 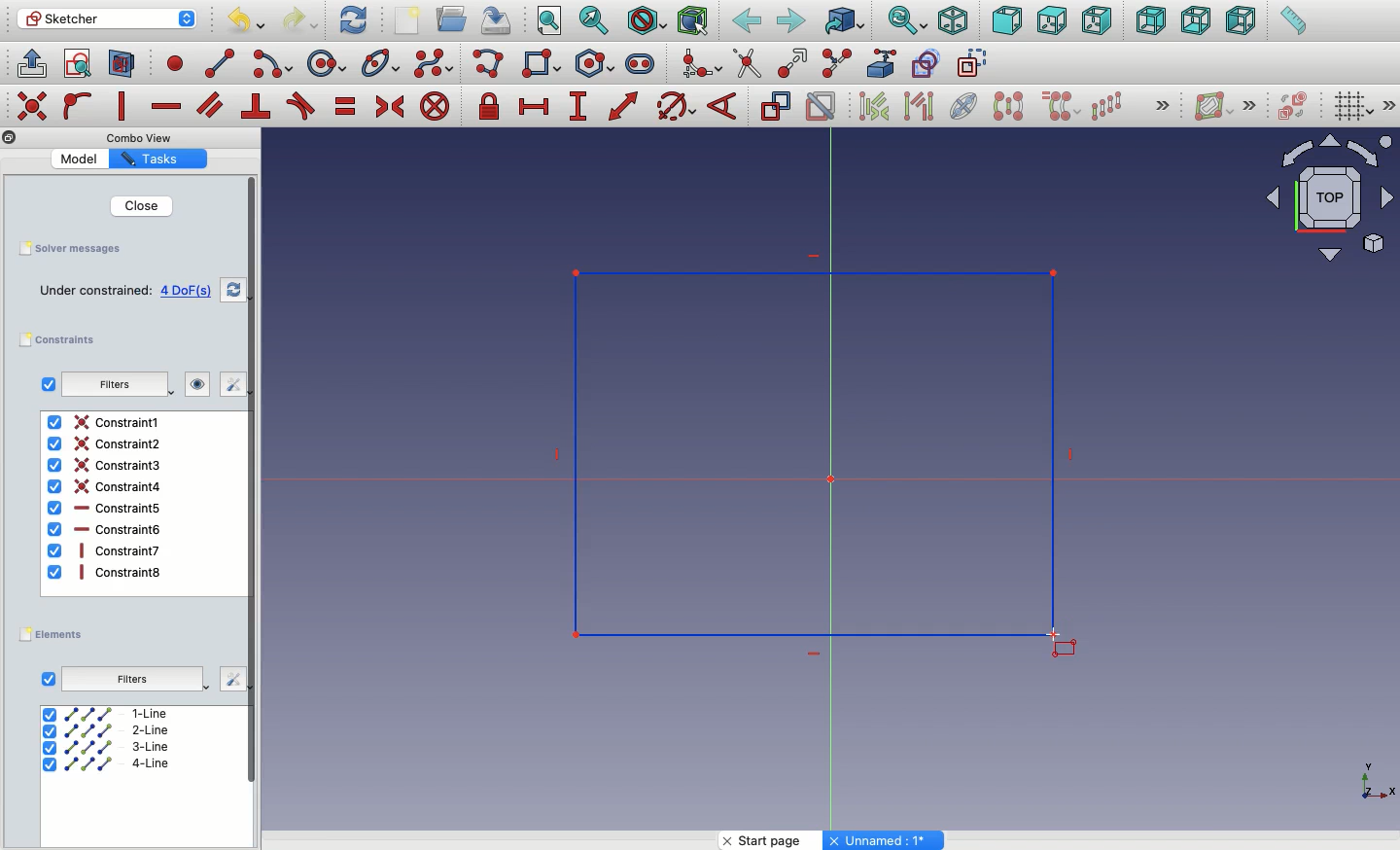 What do you see at coordinates (434, 106) in the screenshot?
I see `constrain block` at bounding box center [434, 106].